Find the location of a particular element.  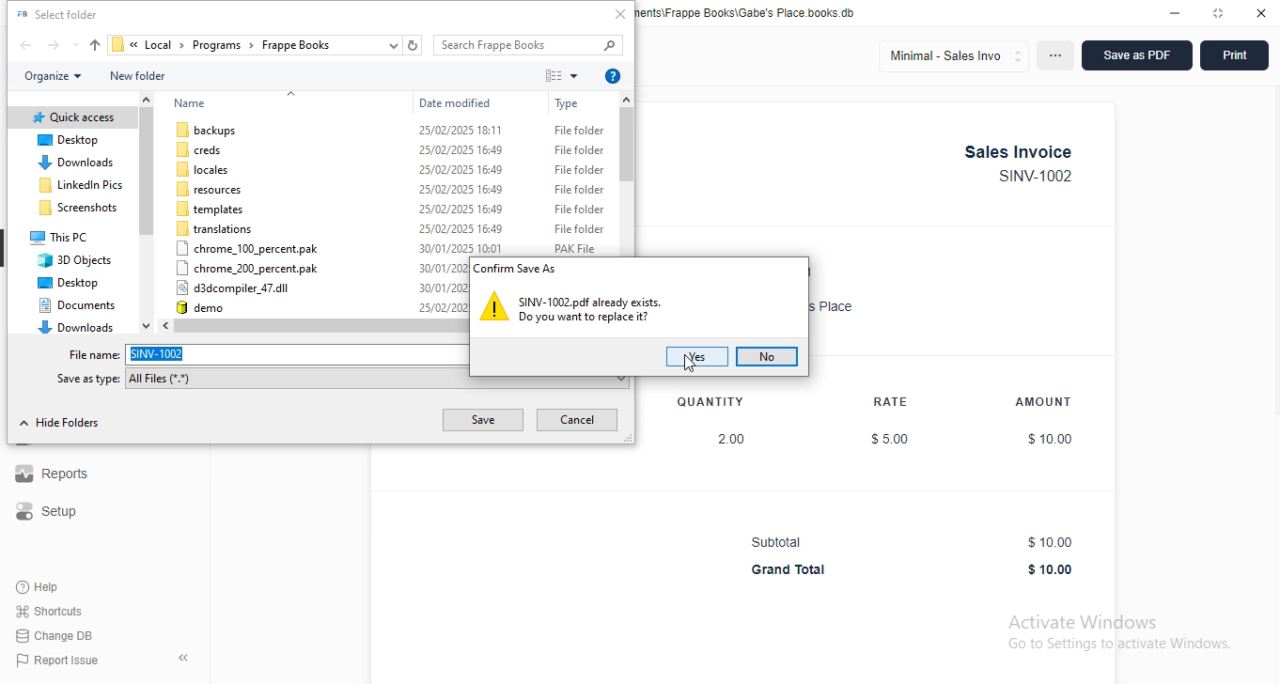

2.00 is located at coordinates (733, 439).